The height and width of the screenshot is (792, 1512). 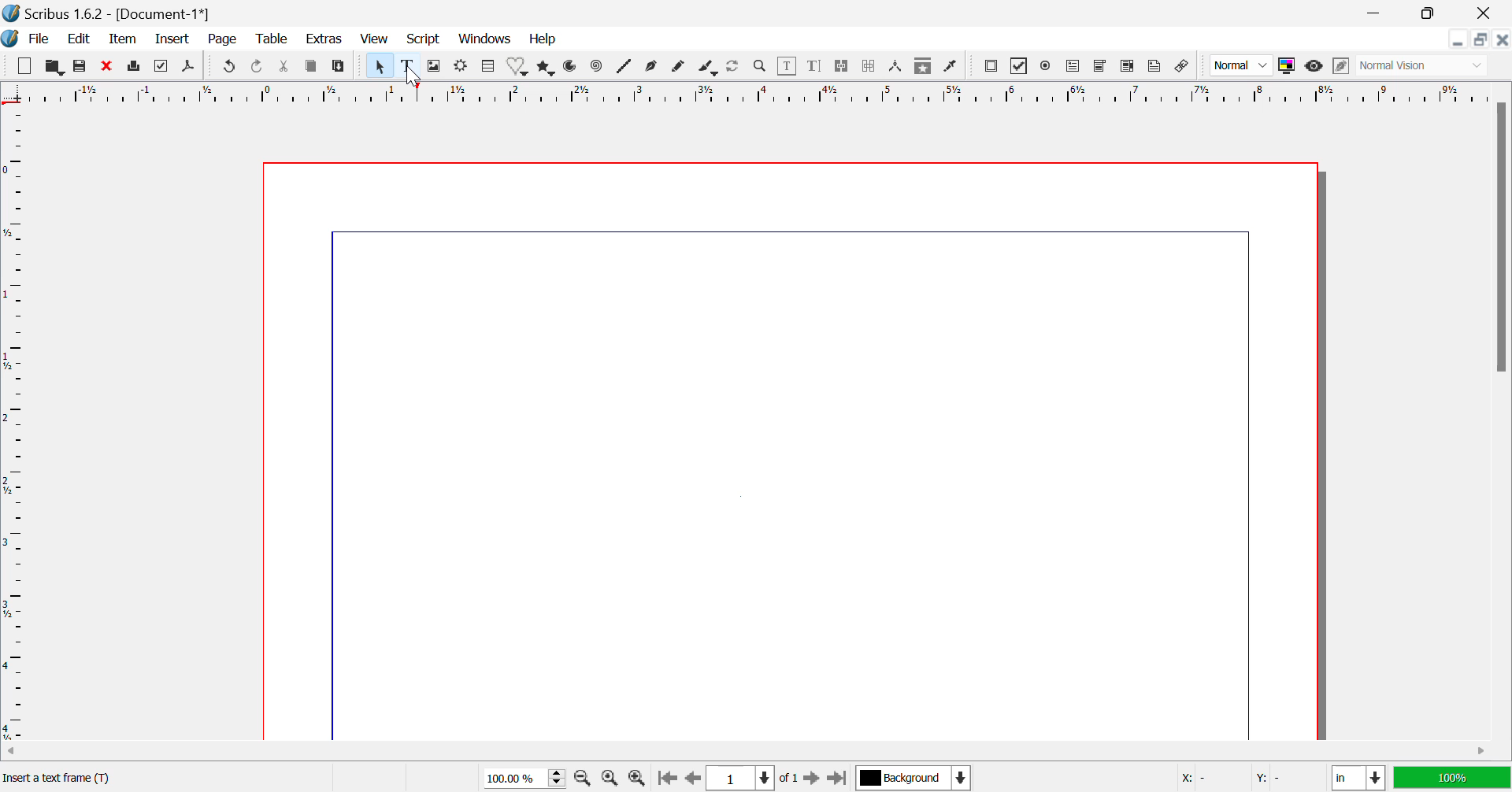 I want to click on Help, so click(x=543, y=40).